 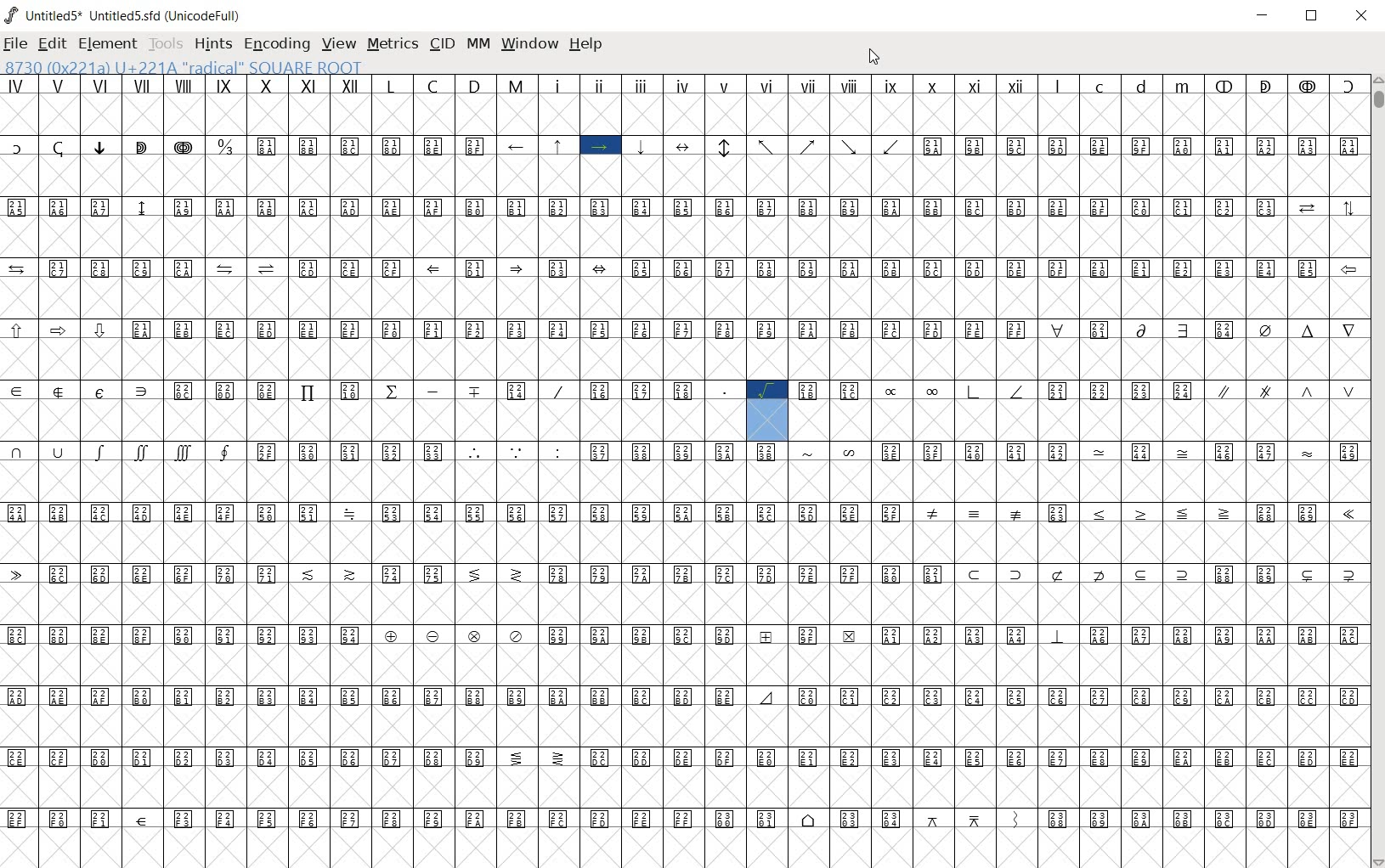 What do you see at coordinates (164, 42) in the screenshot?
I see `TOOLS` at bounding box center [164, 42].